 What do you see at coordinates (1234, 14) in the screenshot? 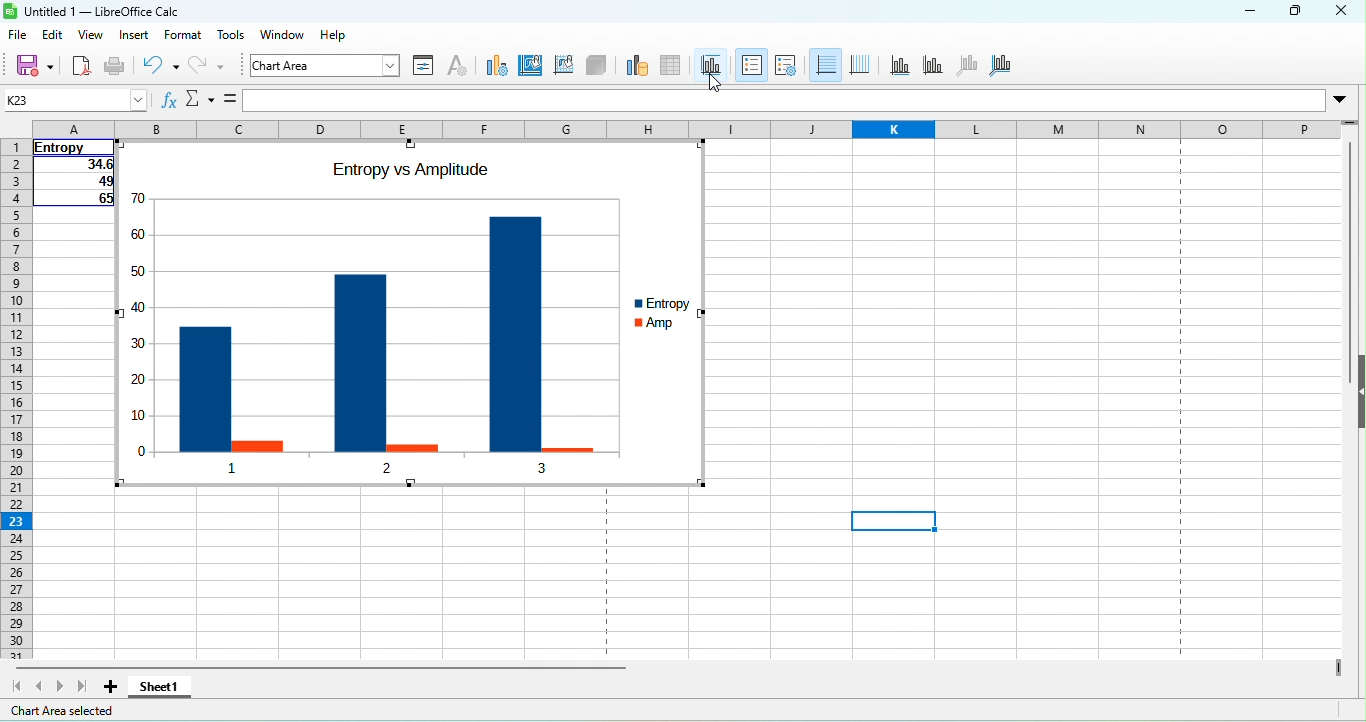
I see `minimize` at bounding box center [1234, 14].